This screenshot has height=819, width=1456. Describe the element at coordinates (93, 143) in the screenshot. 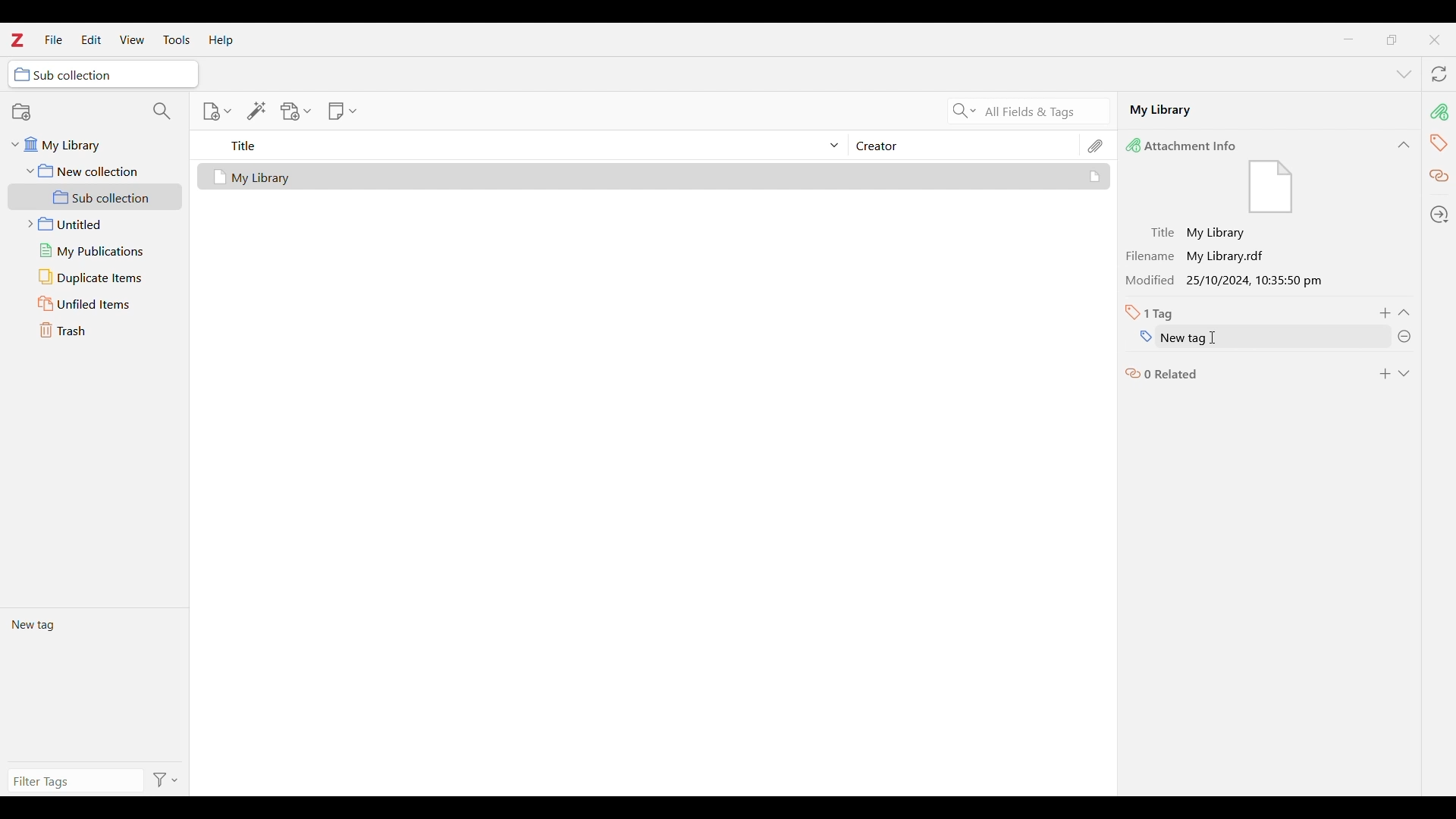

I see `My library folder` at that location.